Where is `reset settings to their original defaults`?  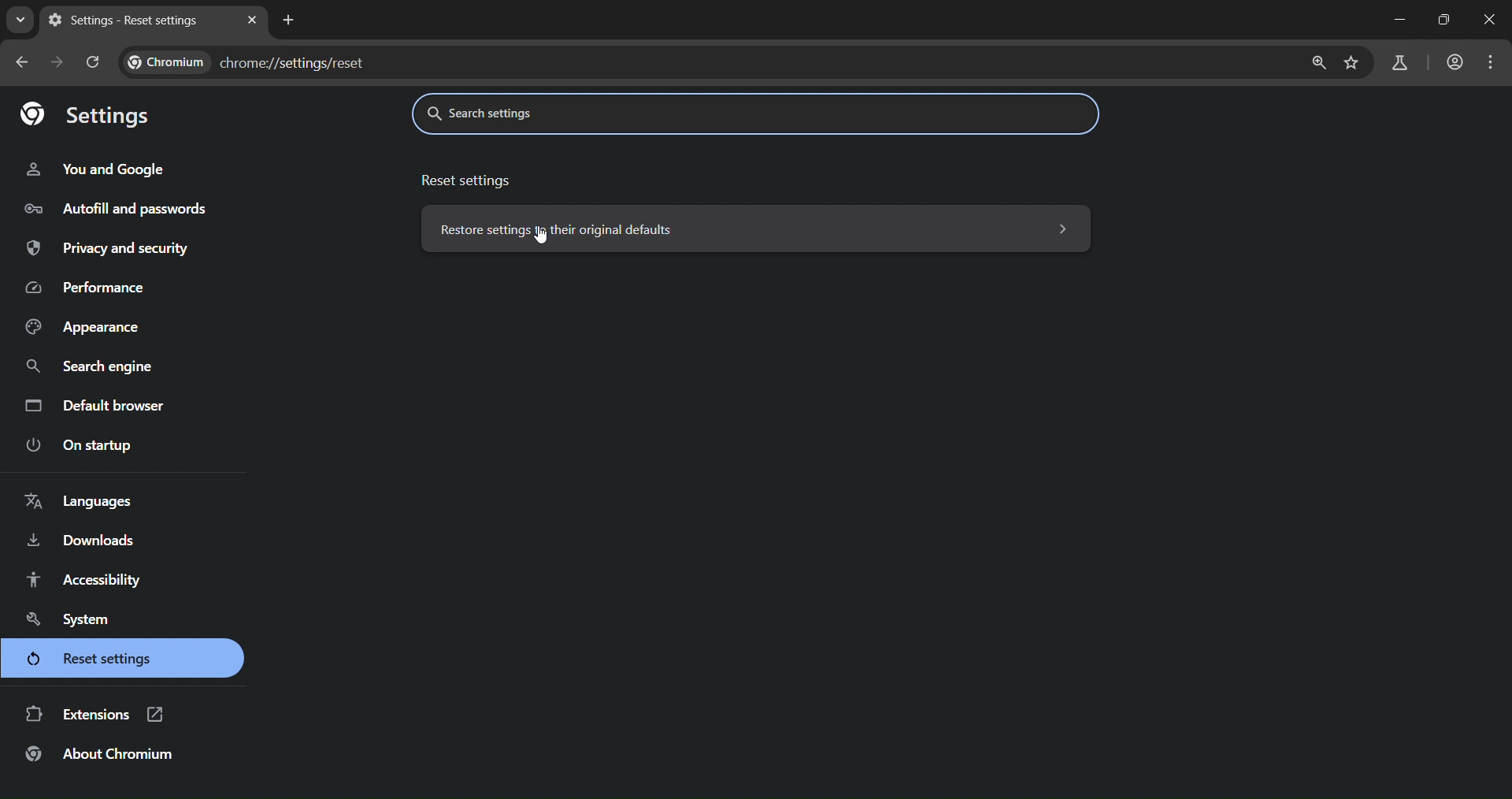
reset settings to their original defaults is located at coordinates (751, 227).